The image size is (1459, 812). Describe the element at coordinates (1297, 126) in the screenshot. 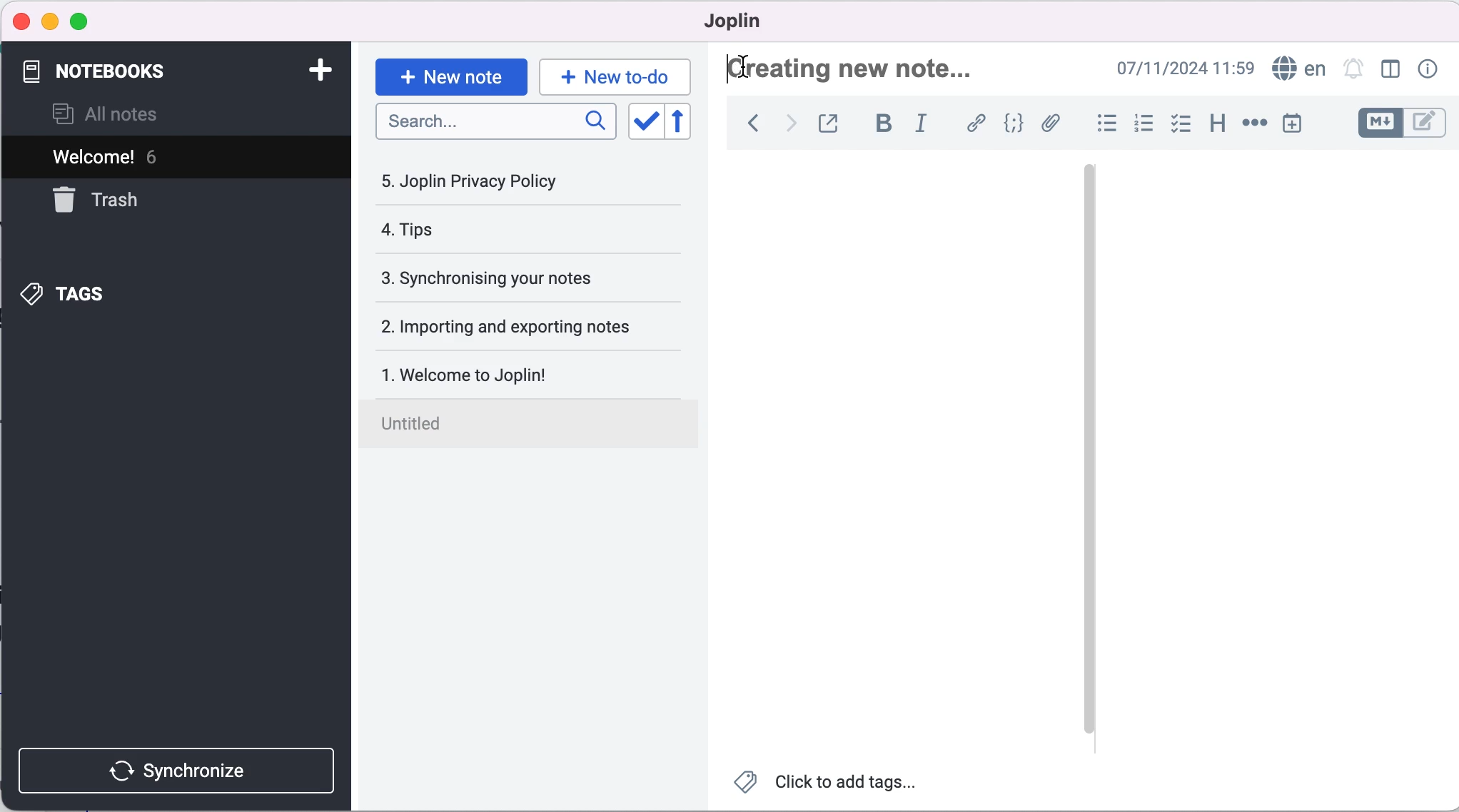

I see `insert time` at that location.